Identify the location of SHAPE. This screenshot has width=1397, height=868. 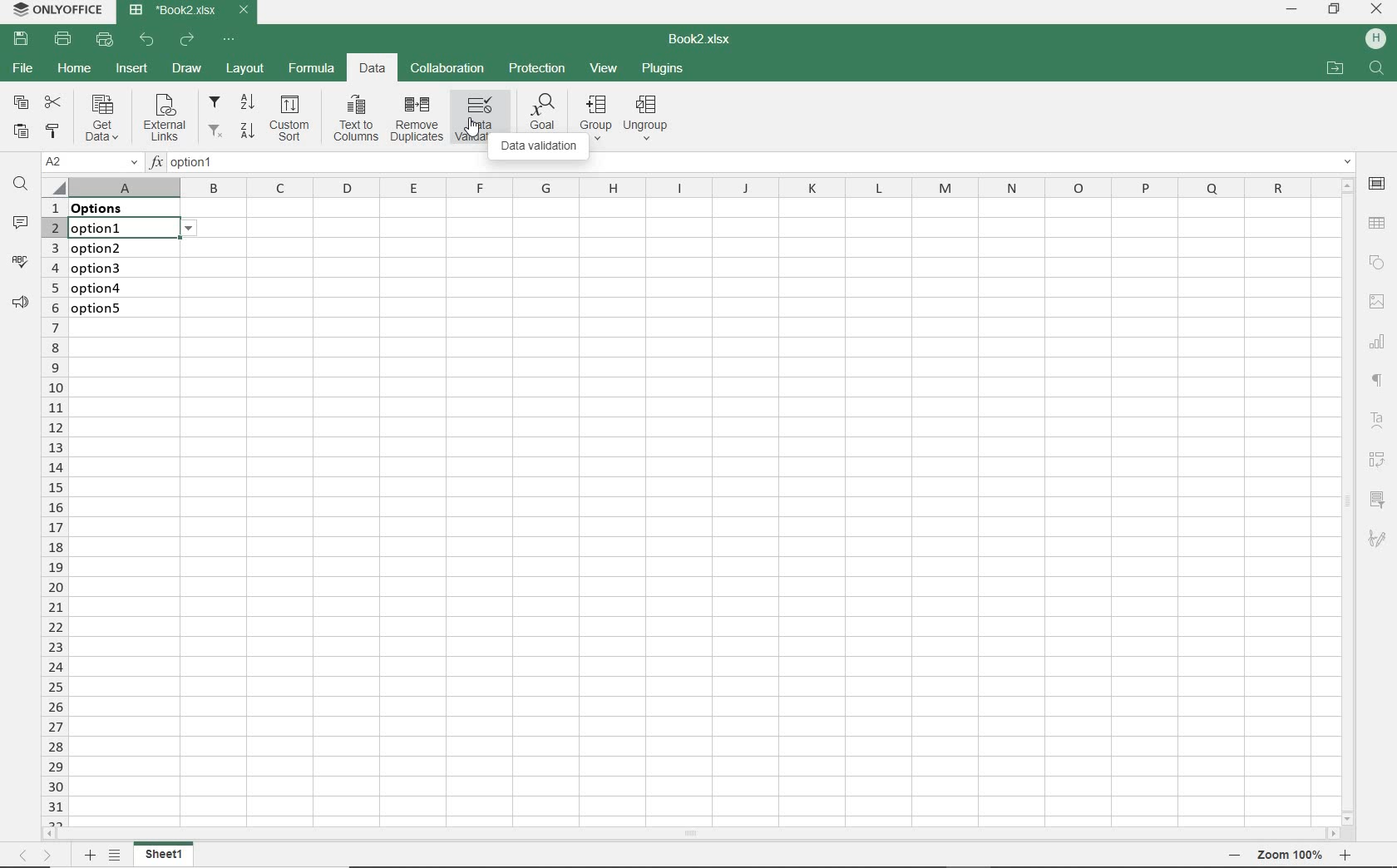
(1379, 263).